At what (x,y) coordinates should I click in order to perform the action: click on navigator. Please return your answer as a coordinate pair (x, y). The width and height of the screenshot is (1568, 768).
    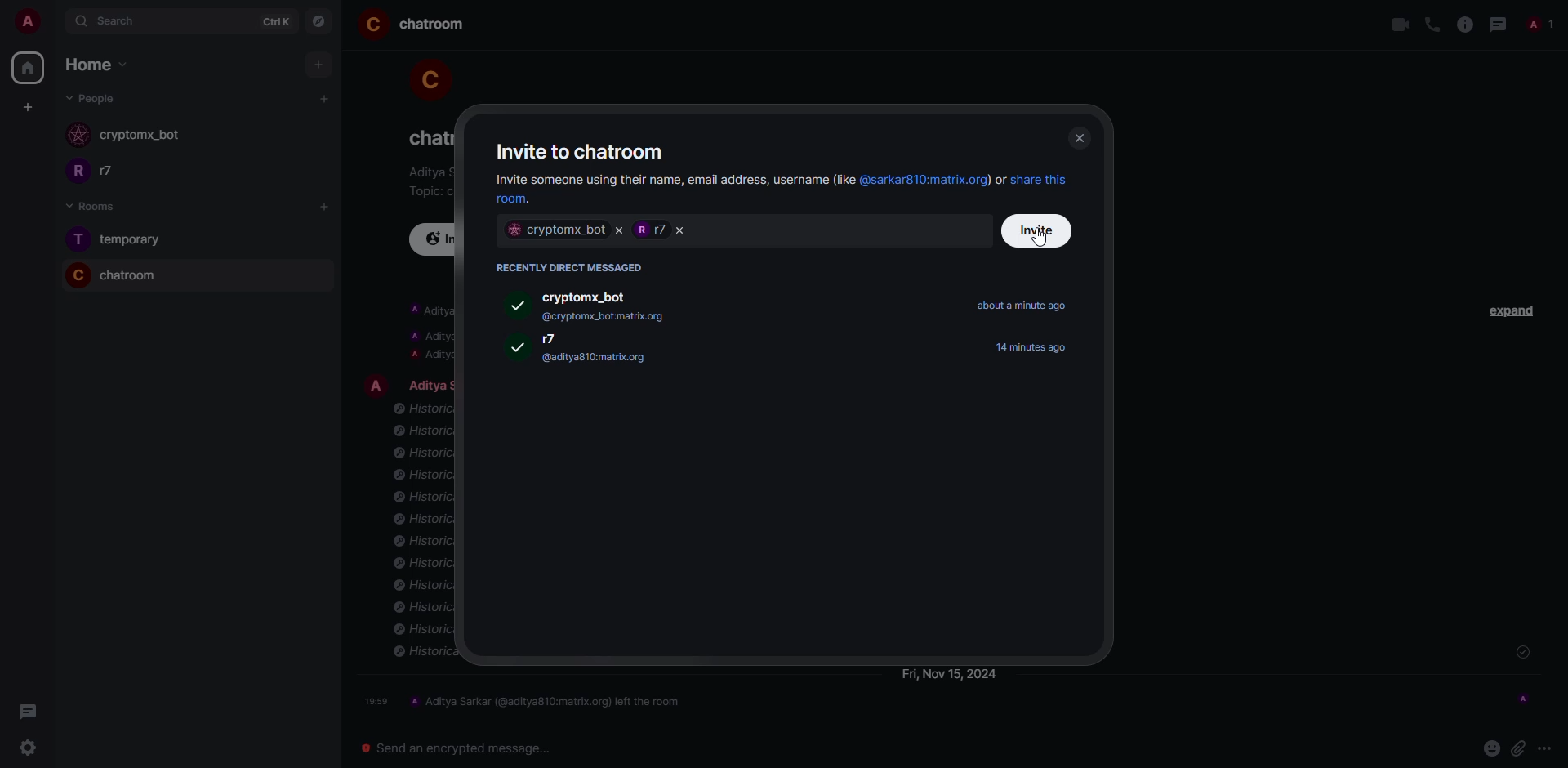
    Looking at the image, I should click on (320, 22).